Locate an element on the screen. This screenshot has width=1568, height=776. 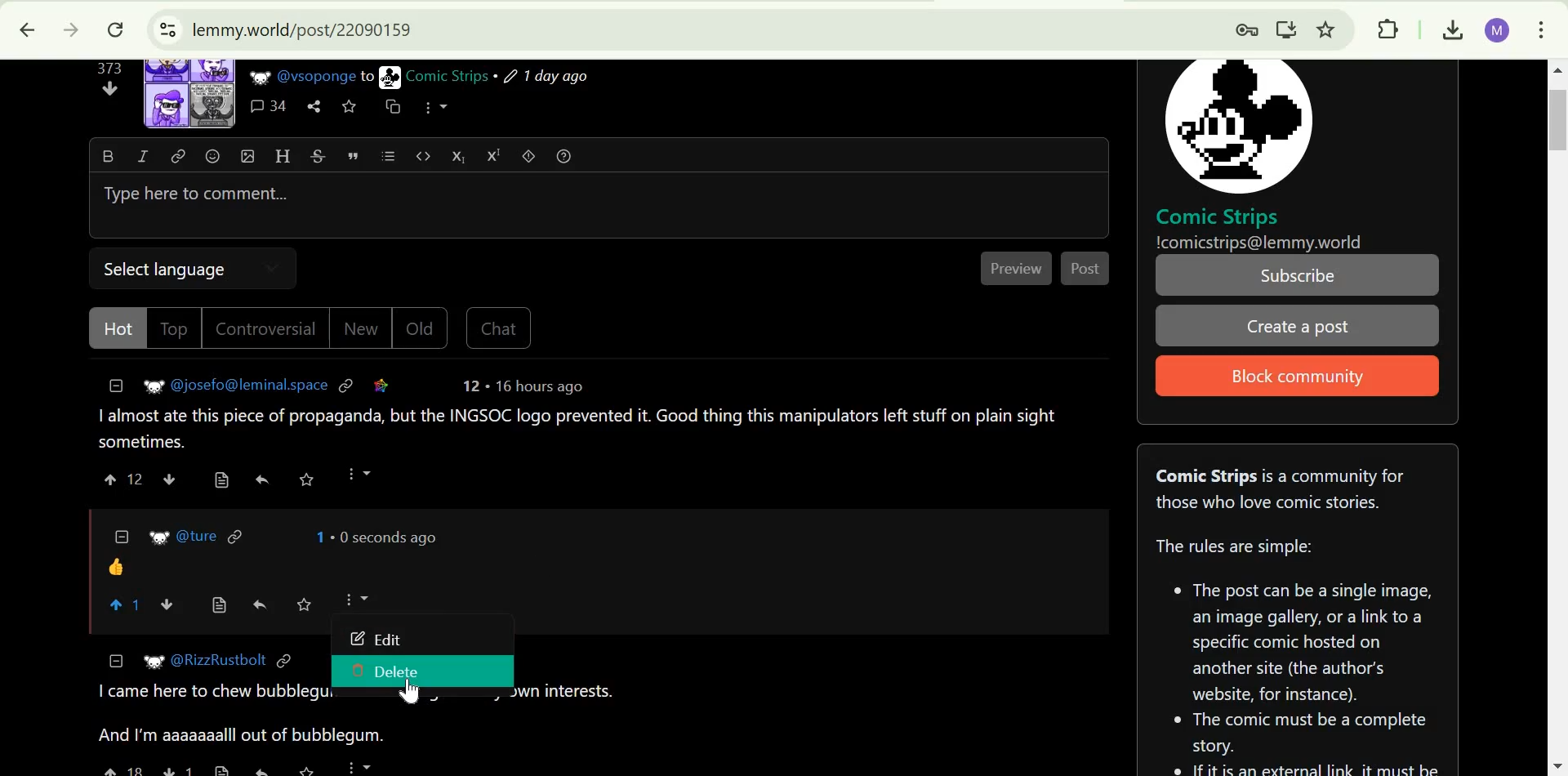
view source is located at coordinates (222, 479).